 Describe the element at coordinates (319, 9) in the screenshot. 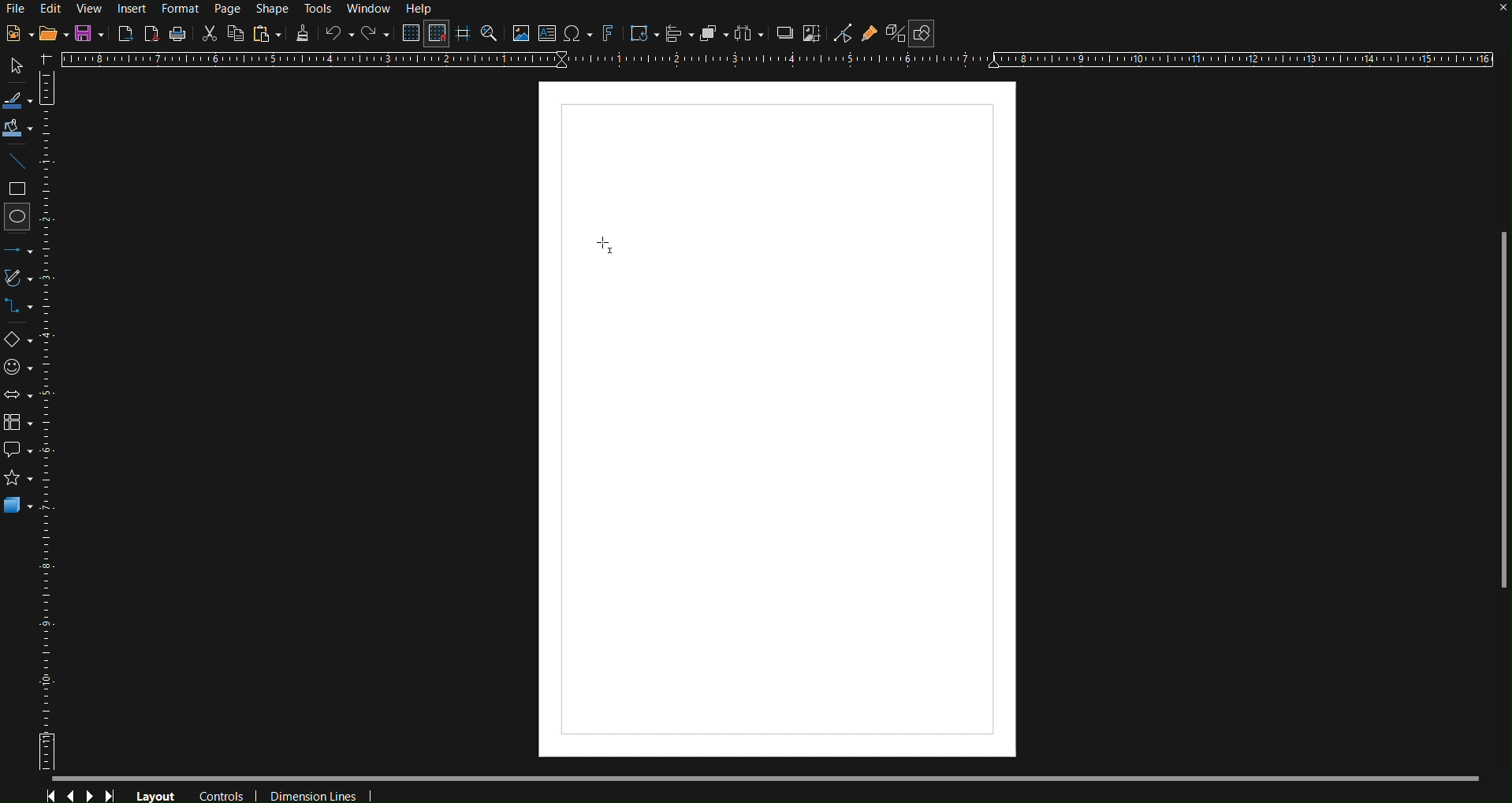

I see `Tools` at that location.